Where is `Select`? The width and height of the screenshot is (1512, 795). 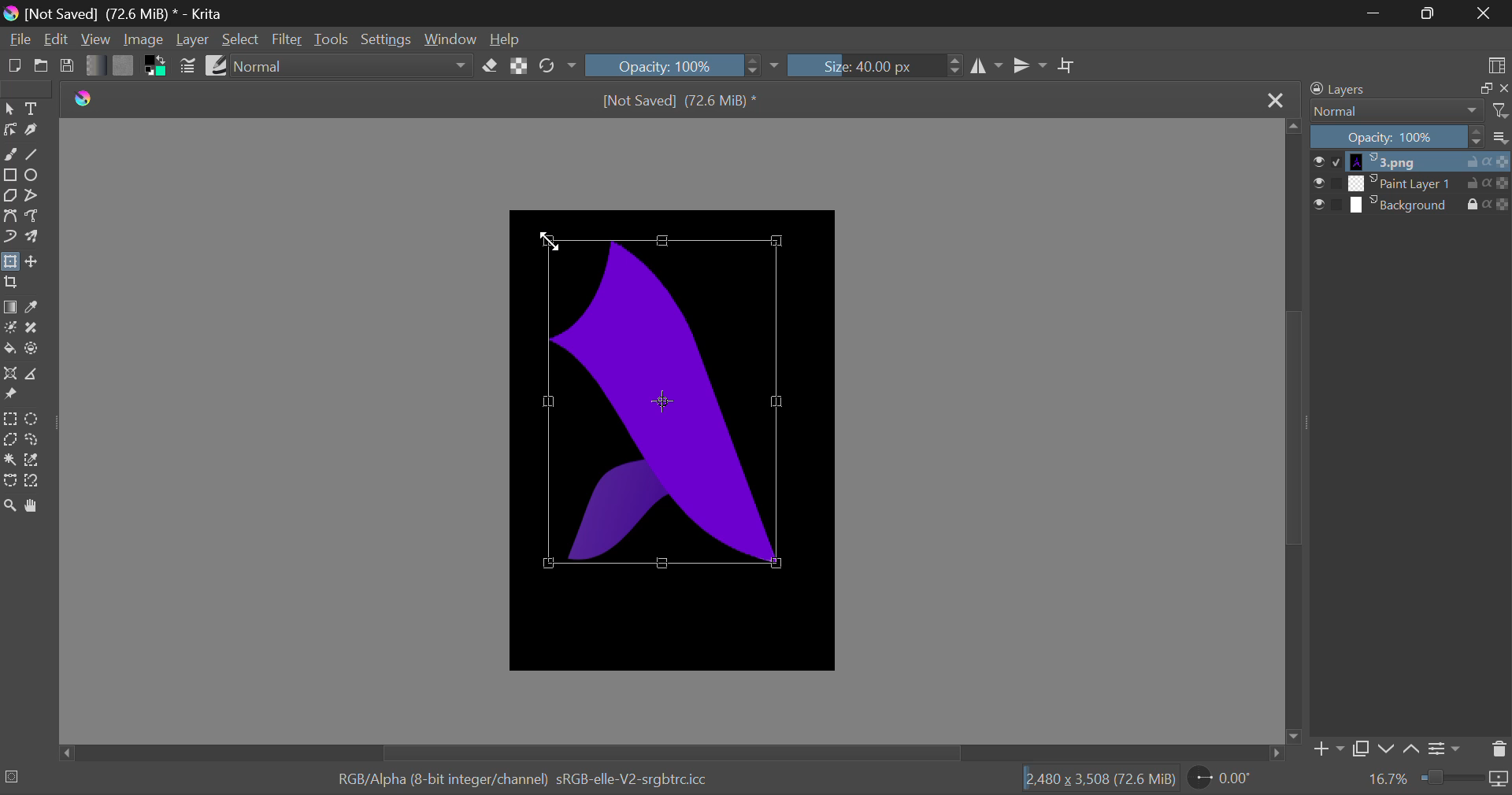
Select is located at coordinates (241, 39).